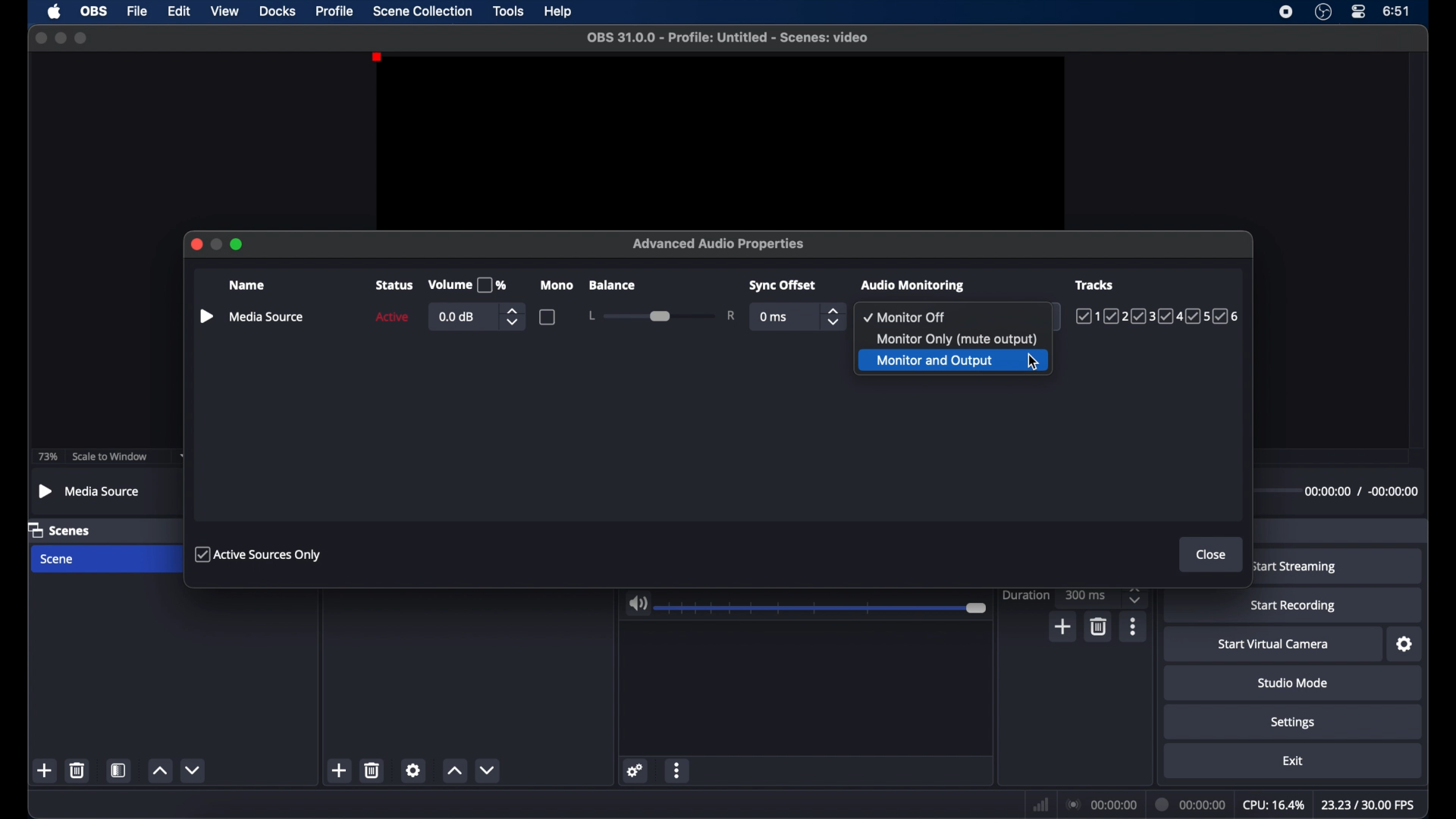 The width and height of the screenshot is (1456, 819). Describe the element at coordinates (1100, 805) in the screenshot. I see `connections` at that location.